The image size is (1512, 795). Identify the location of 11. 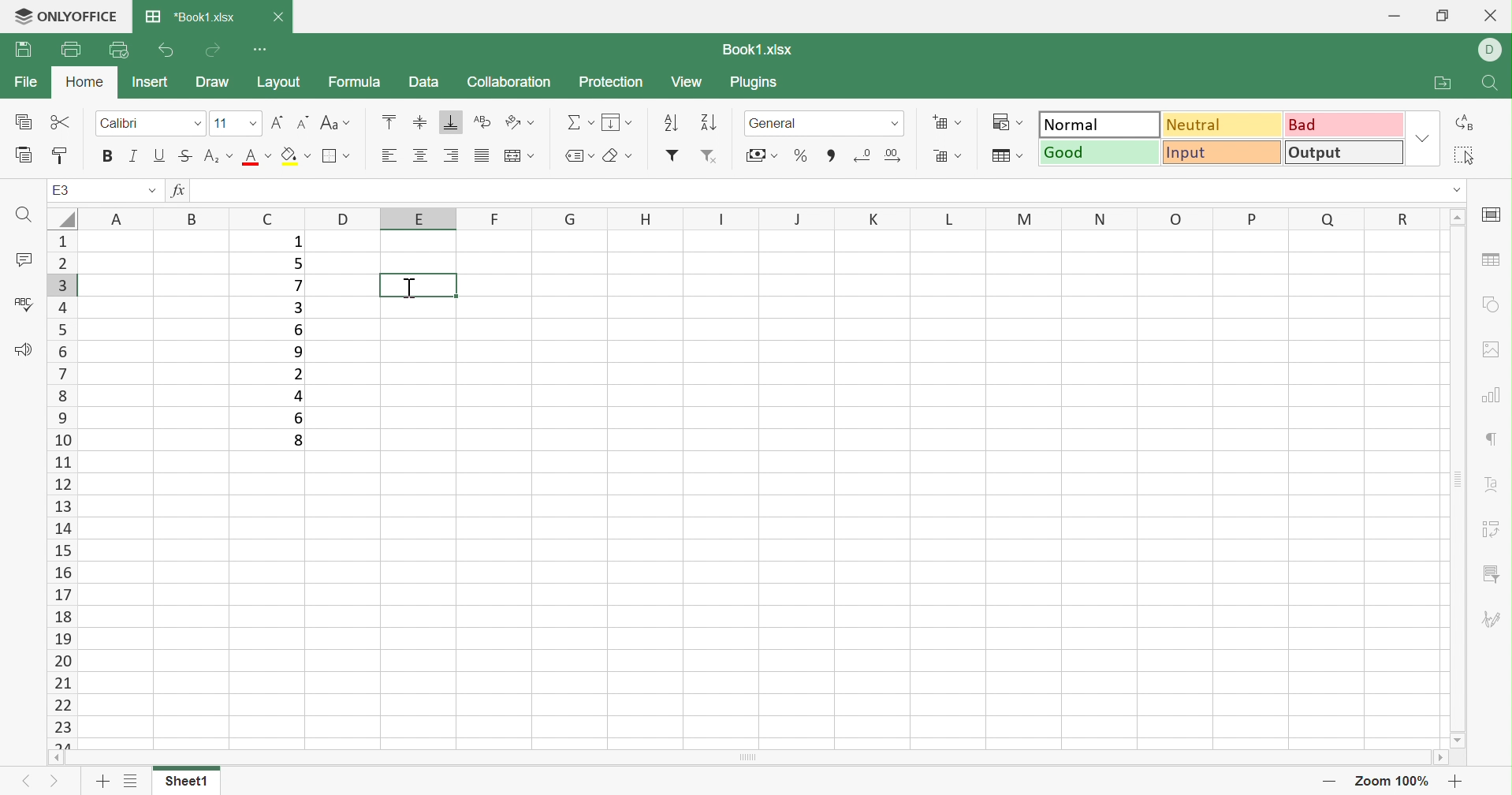
(222, 124).